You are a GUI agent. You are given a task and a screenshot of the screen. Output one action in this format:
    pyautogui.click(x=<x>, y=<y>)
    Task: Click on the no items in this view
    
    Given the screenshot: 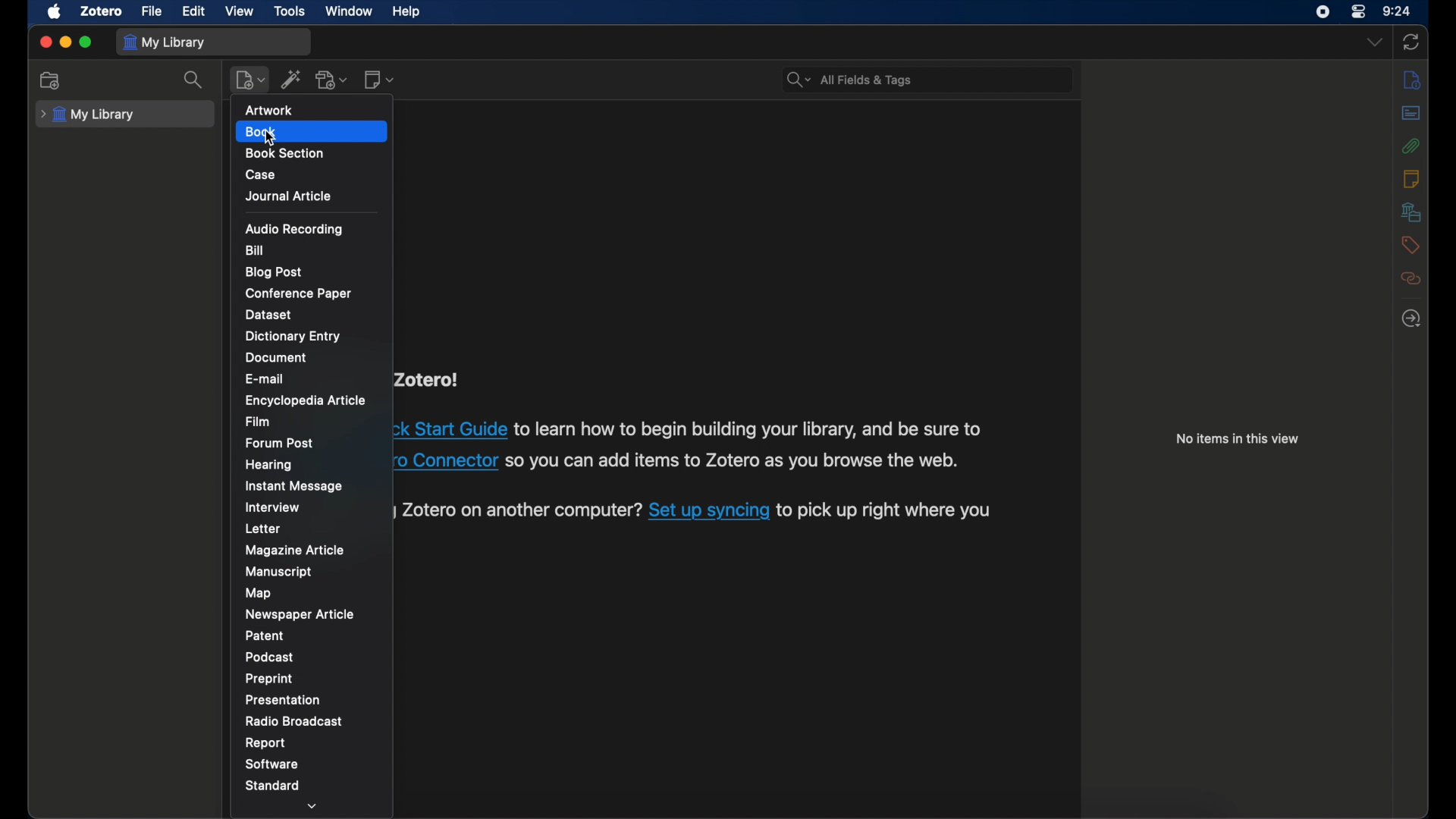 What is the action you would take?
    pyautogui.click(x=1237, y=440)
    